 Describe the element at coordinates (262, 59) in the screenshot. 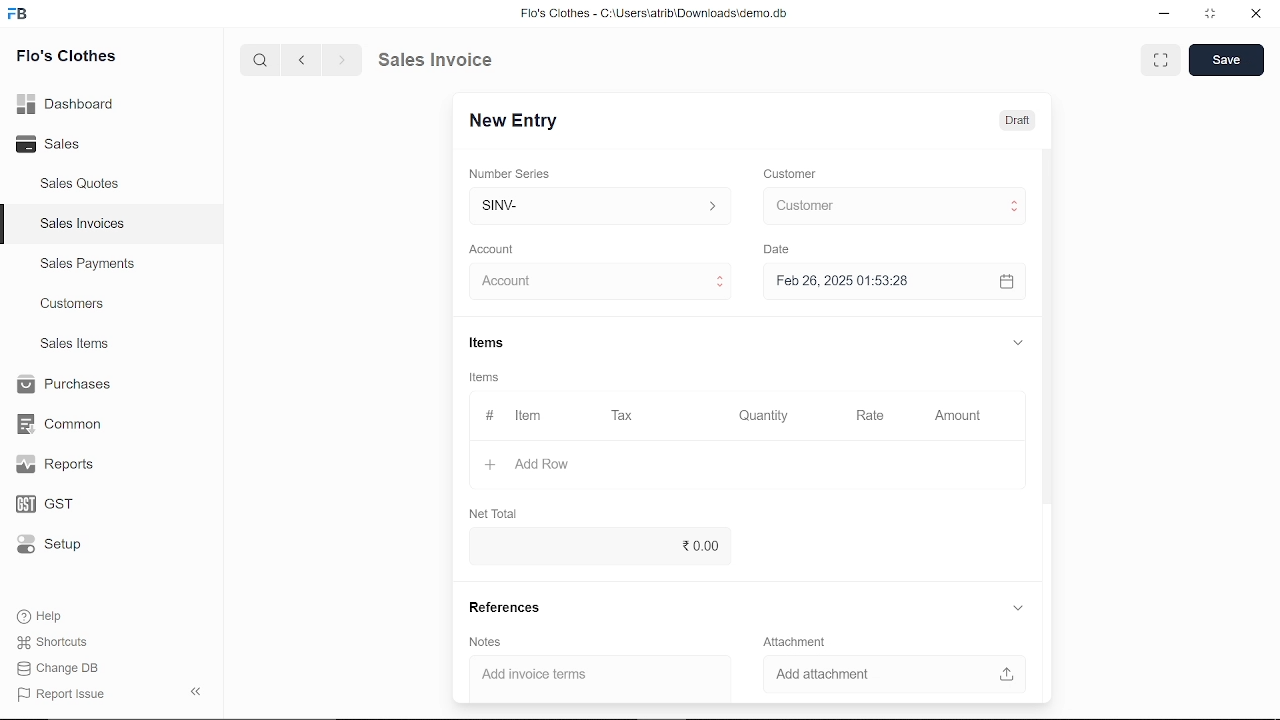

I see `search` at that location.